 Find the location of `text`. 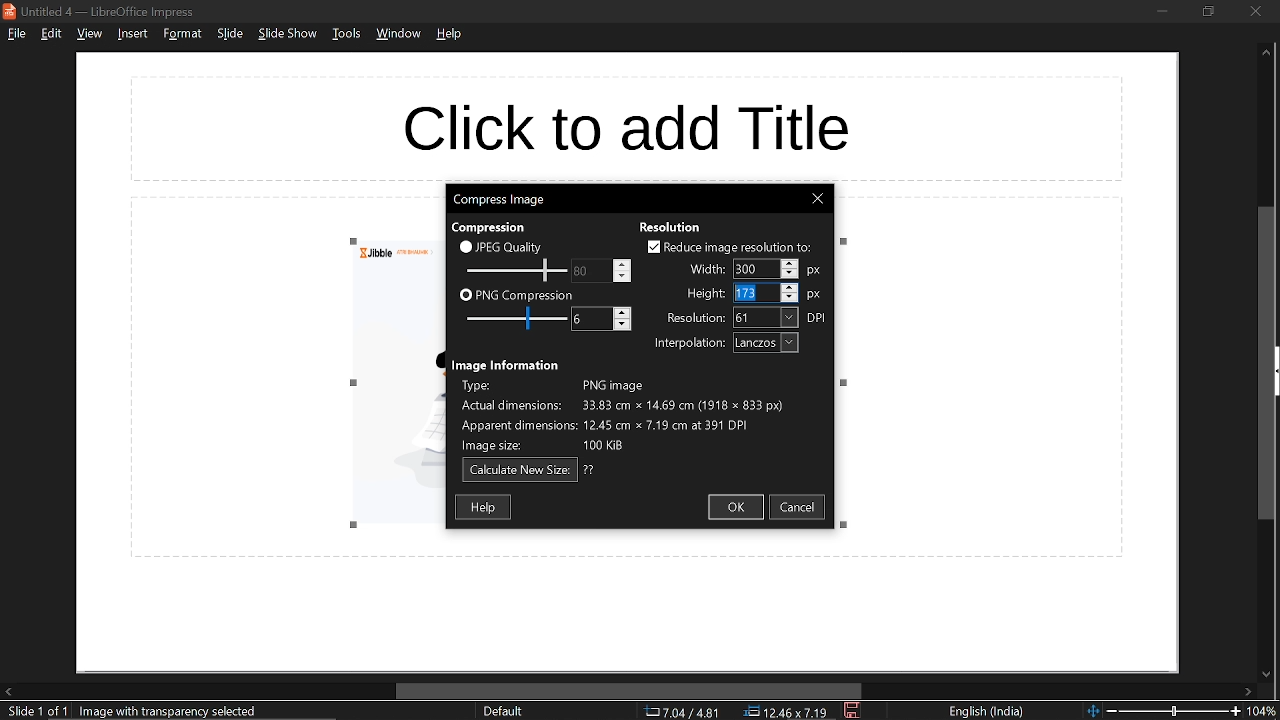

text is located at coordinates (706, 294).